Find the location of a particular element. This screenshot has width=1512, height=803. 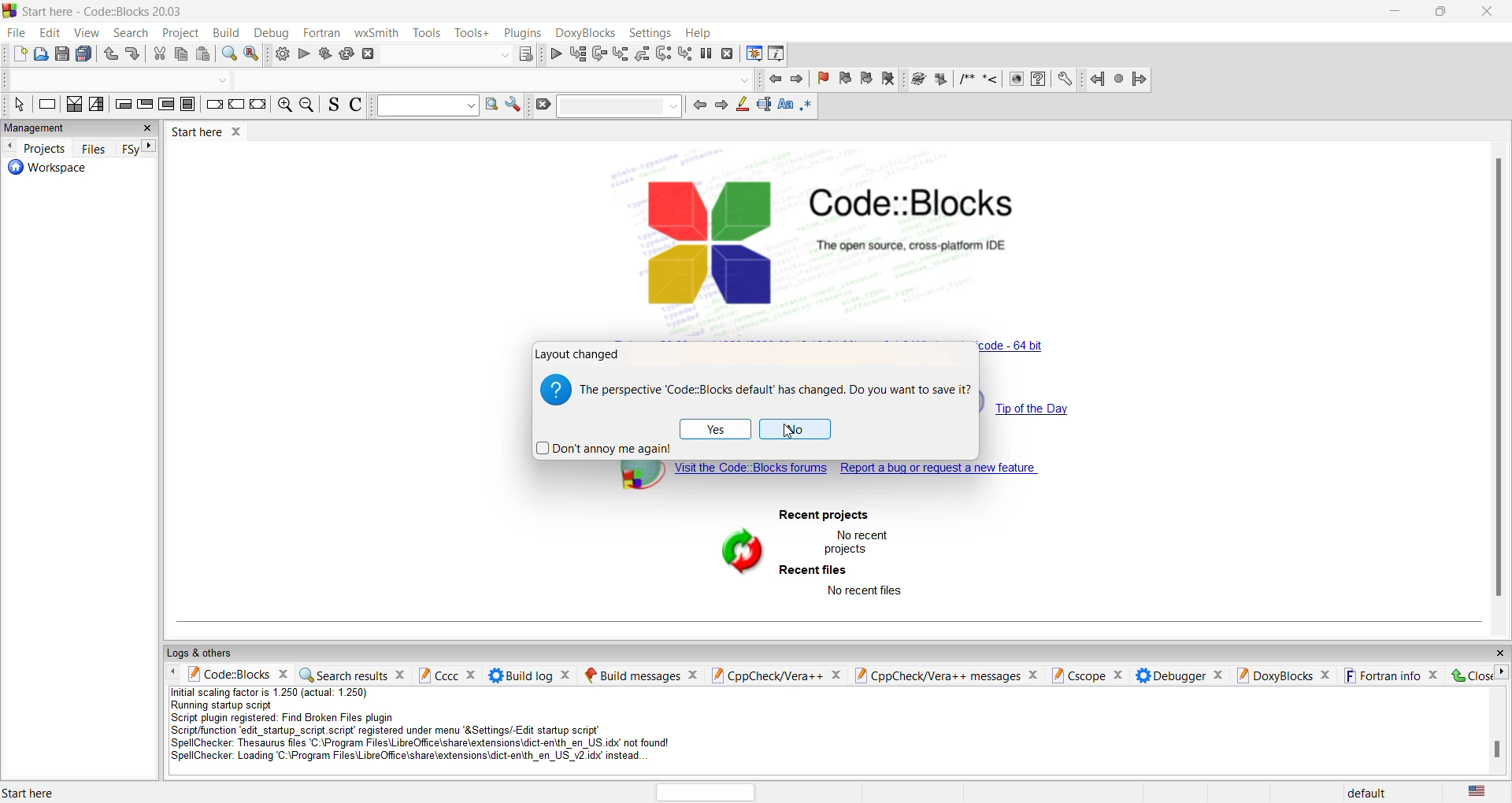

build is located at coordinates (225, 33).